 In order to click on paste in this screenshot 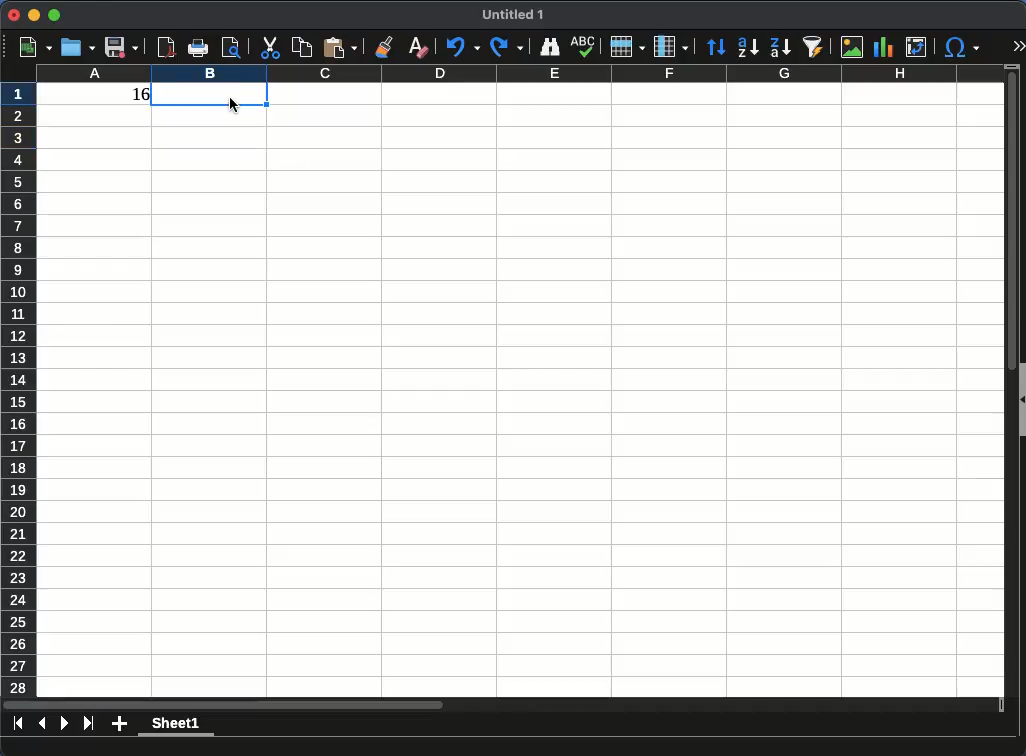, I will do `click(340, 48)`.